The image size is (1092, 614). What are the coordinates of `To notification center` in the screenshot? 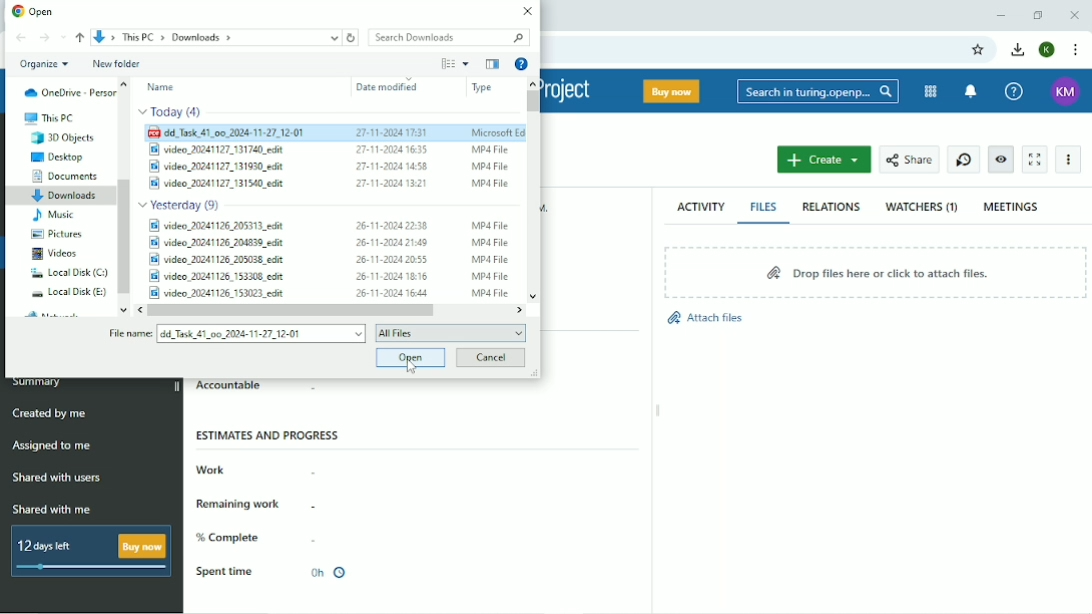 It's located at (973, 91).